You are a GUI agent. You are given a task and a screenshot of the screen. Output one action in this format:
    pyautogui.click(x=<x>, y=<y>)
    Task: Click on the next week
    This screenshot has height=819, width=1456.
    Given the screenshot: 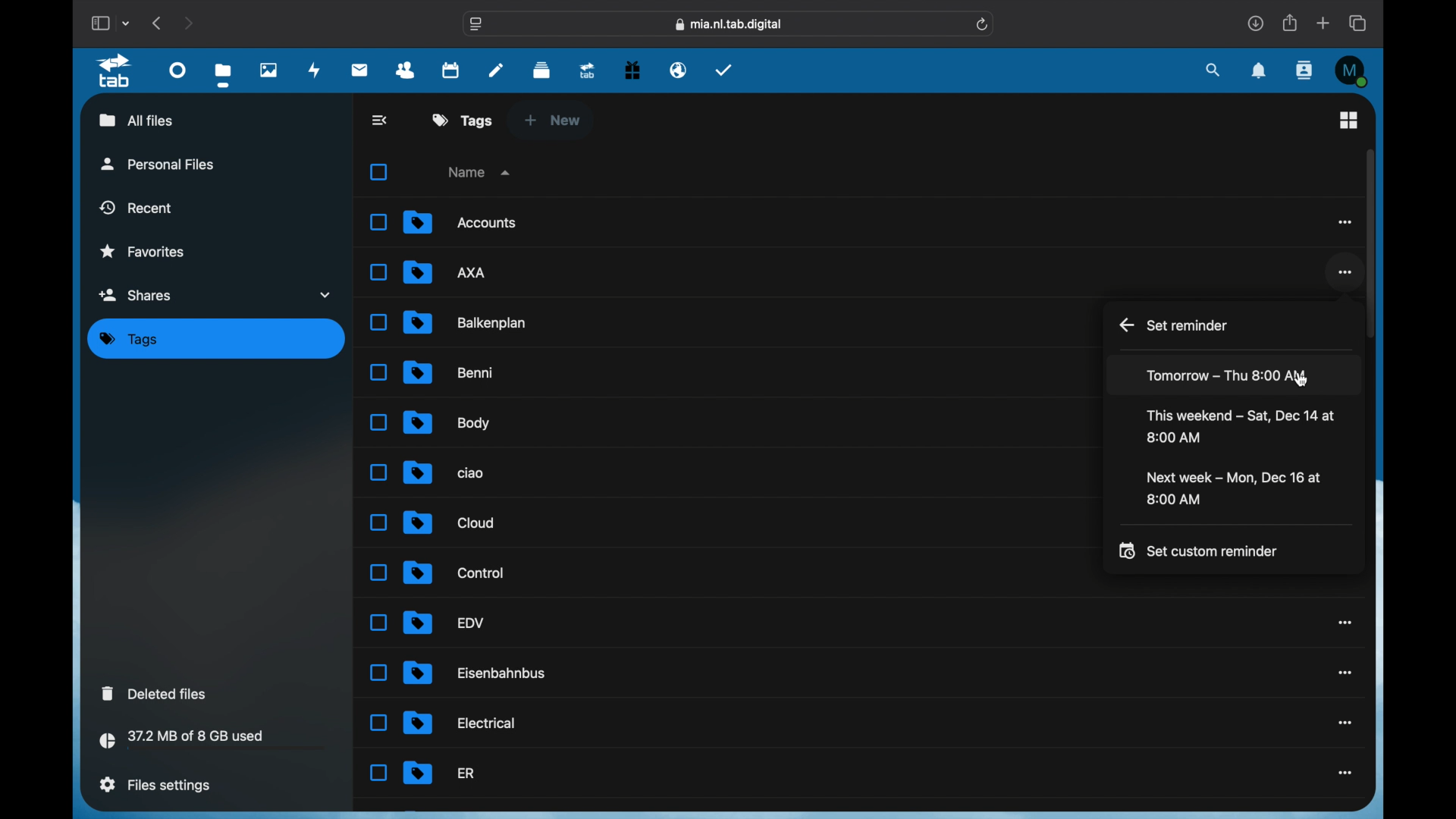 What is the action you would take?
    pyautogui.click(x=1233, y=488)
    